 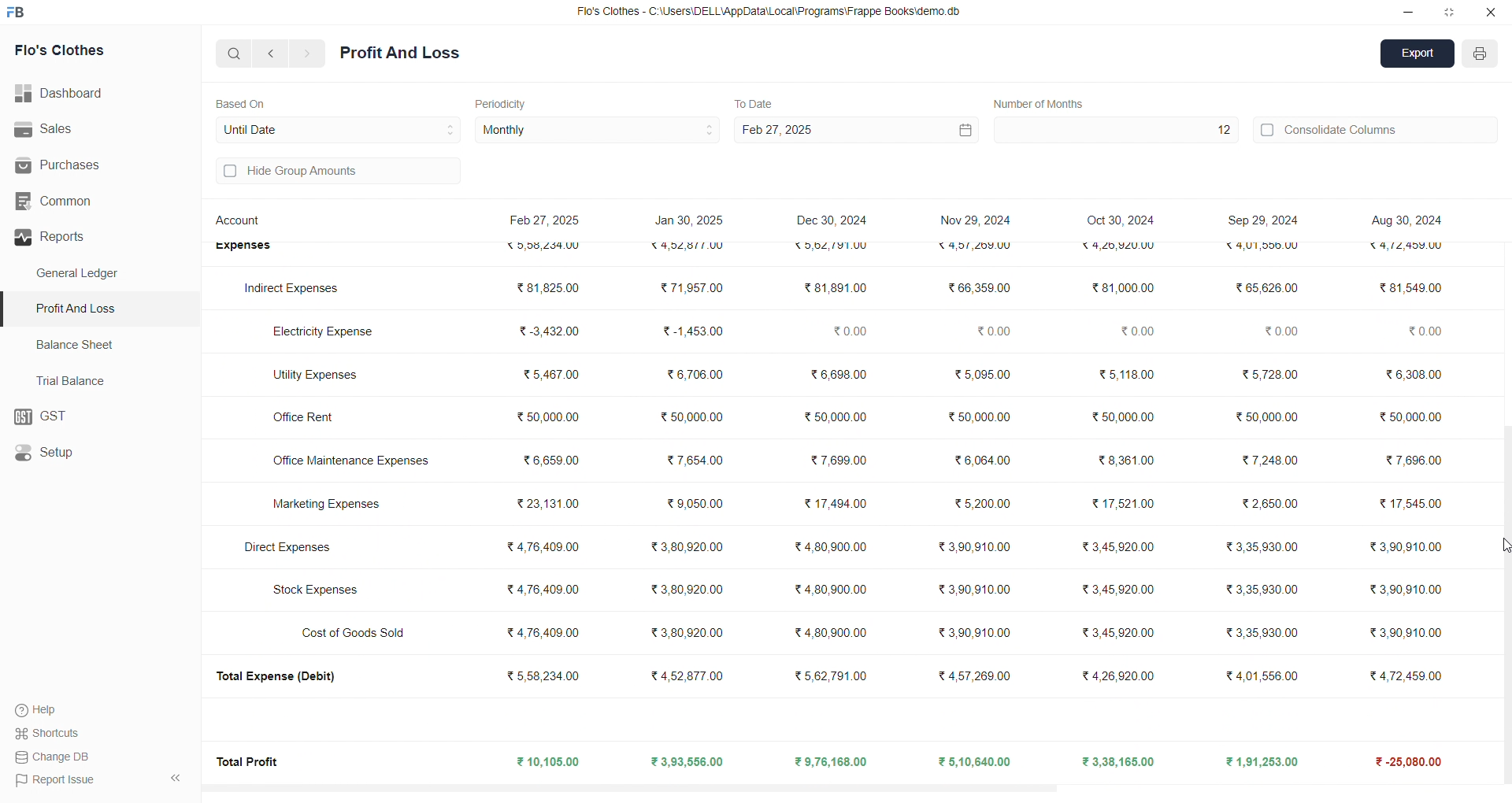 What do you see at coordinates (771, 13) in the screenshot?
I see `Flo's Clothes - C:\Users\DELL\AppDatalLocal\Programs\Frappe Booksidemo.db` at bounding box center [771, 13].